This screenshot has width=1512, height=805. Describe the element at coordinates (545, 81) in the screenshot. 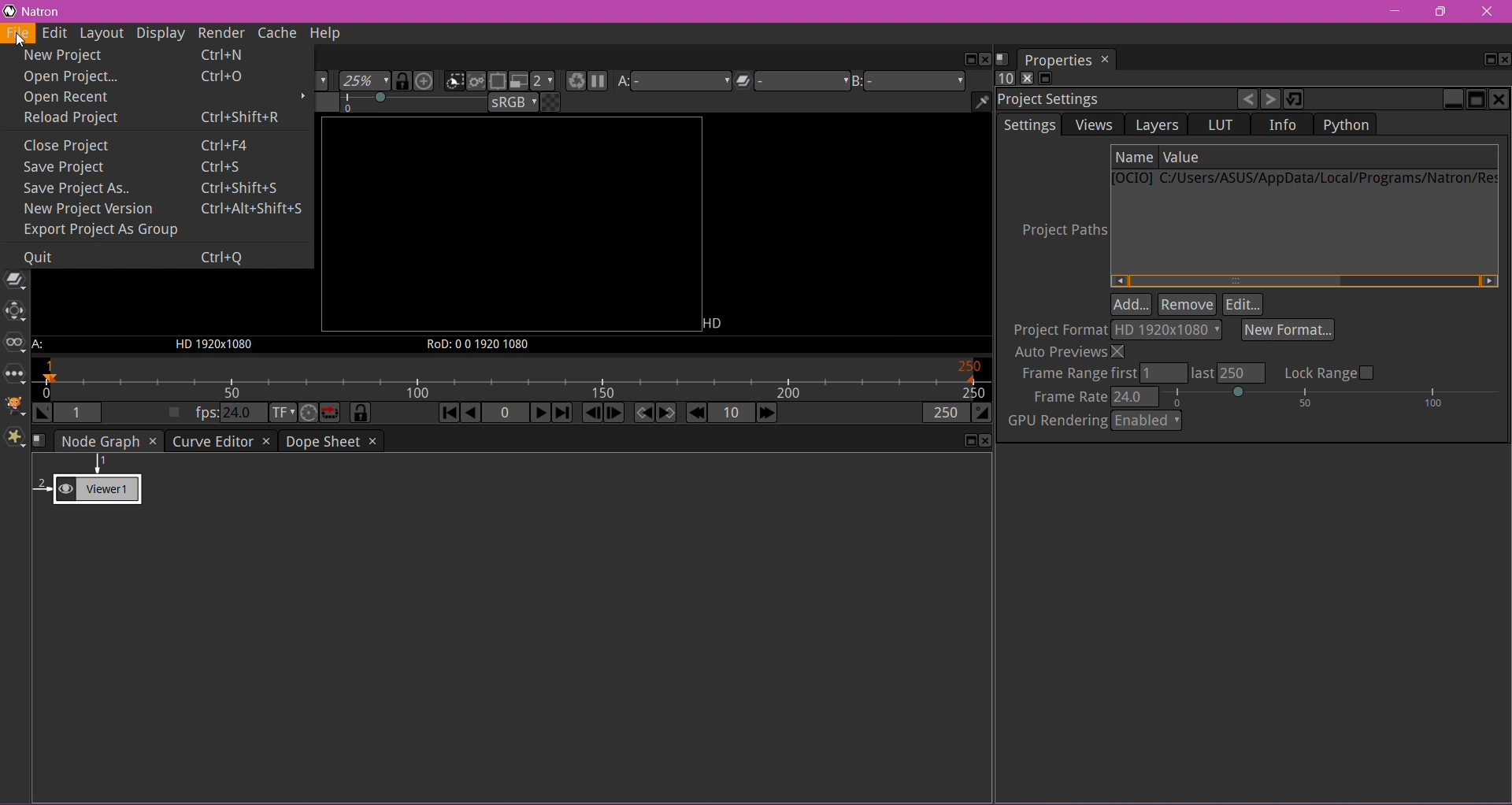

I see `When proxy mode is activated, it scales down the rendered image by this factor to accelerate the rendering ` at that location.